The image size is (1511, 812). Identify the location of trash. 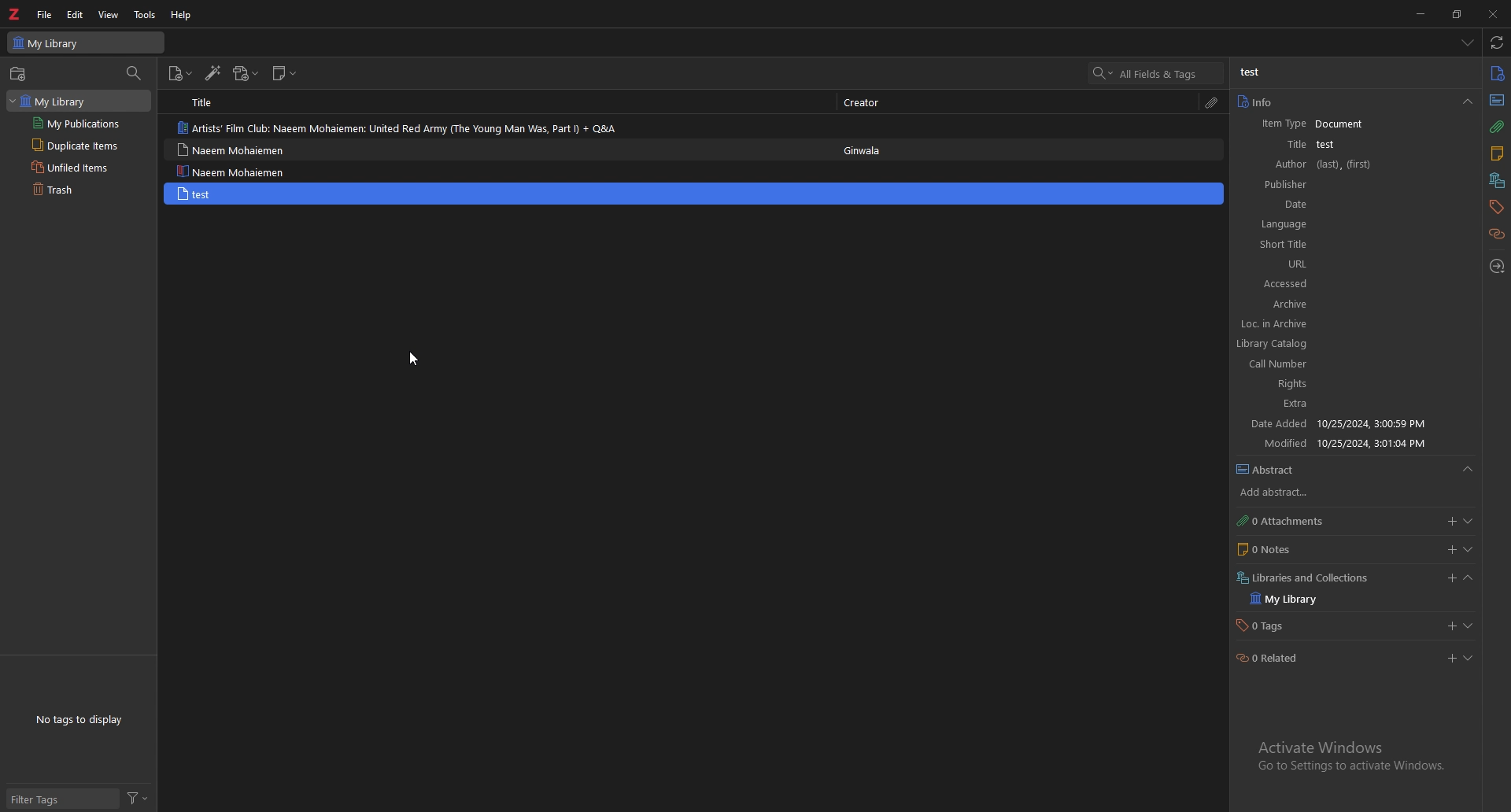
(74, 190).